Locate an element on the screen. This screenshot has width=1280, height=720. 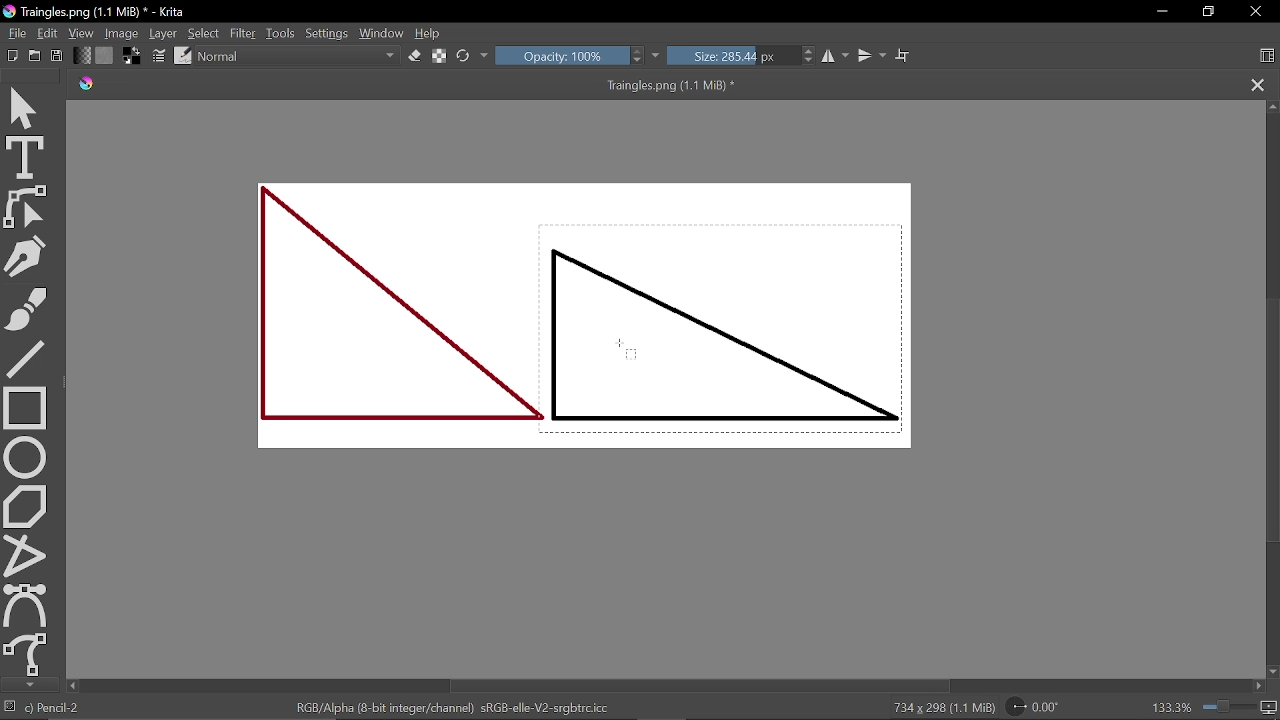
Create new file is located at coordinates (35, 55).